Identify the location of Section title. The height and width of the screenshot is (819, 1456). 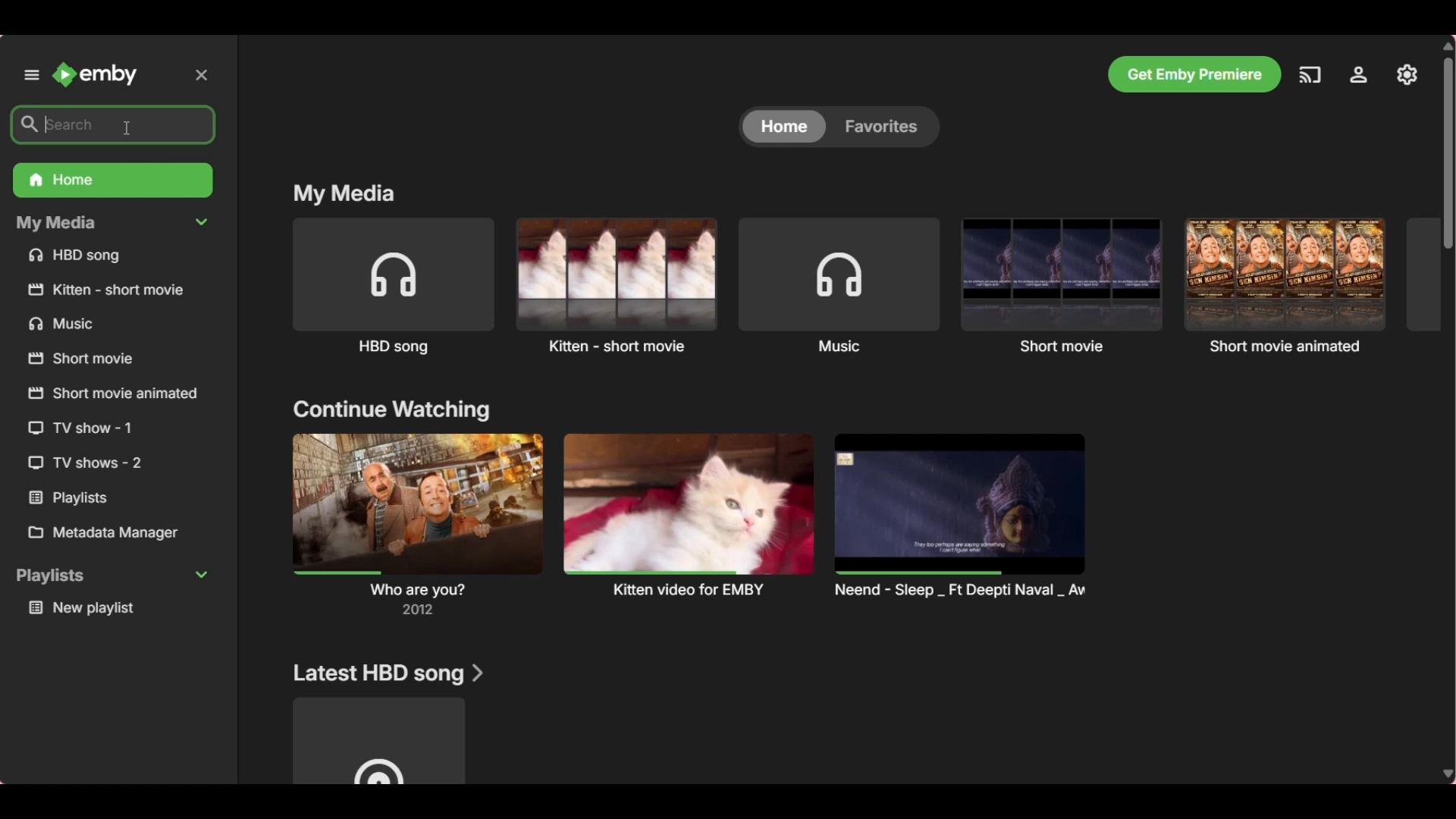
(344, 195).